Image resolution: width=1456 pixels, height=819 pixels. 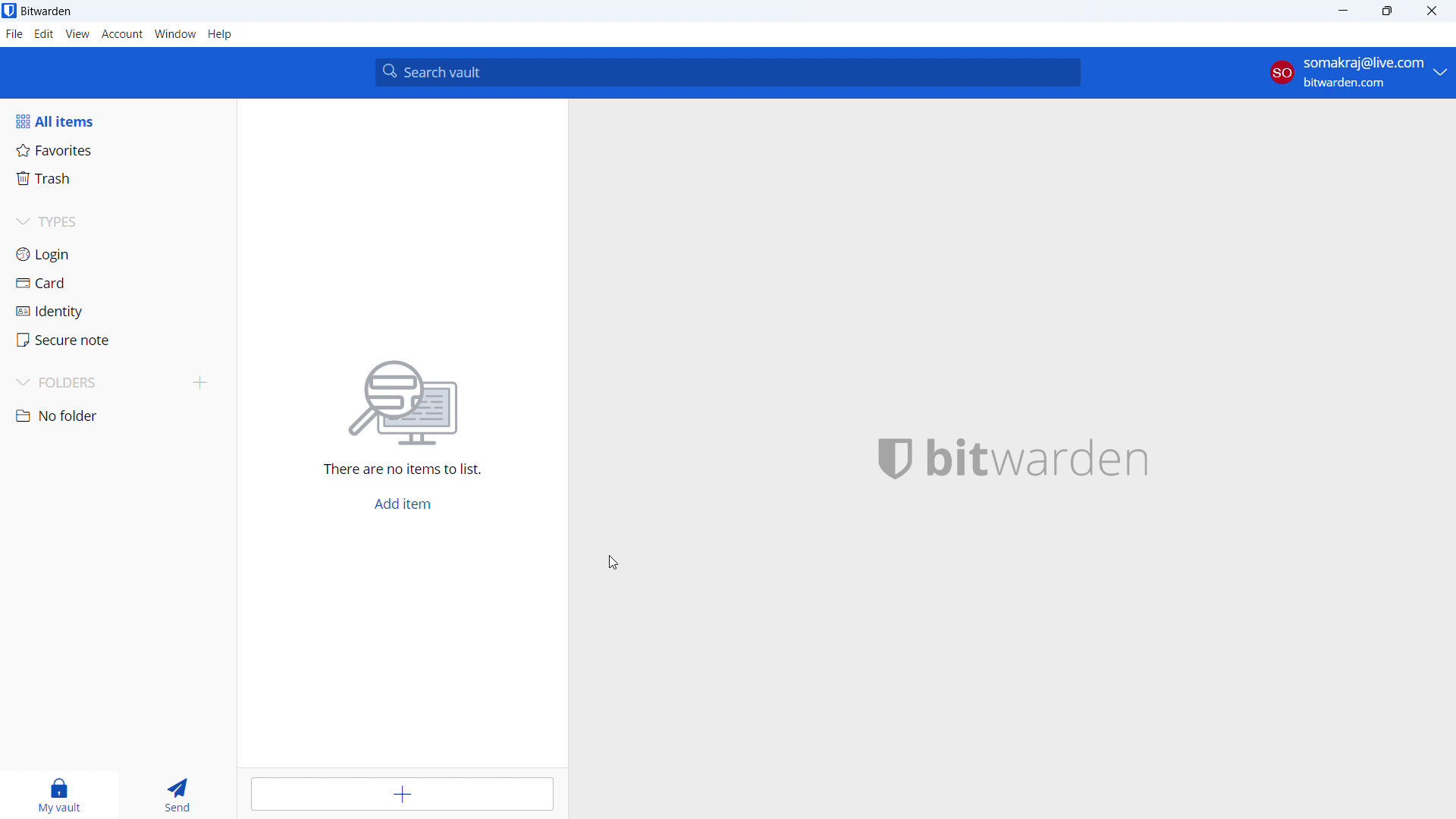 What do you see at coordinates (92, 384) in the screenshot?
I see `folders` at bounding box center [92, 384].